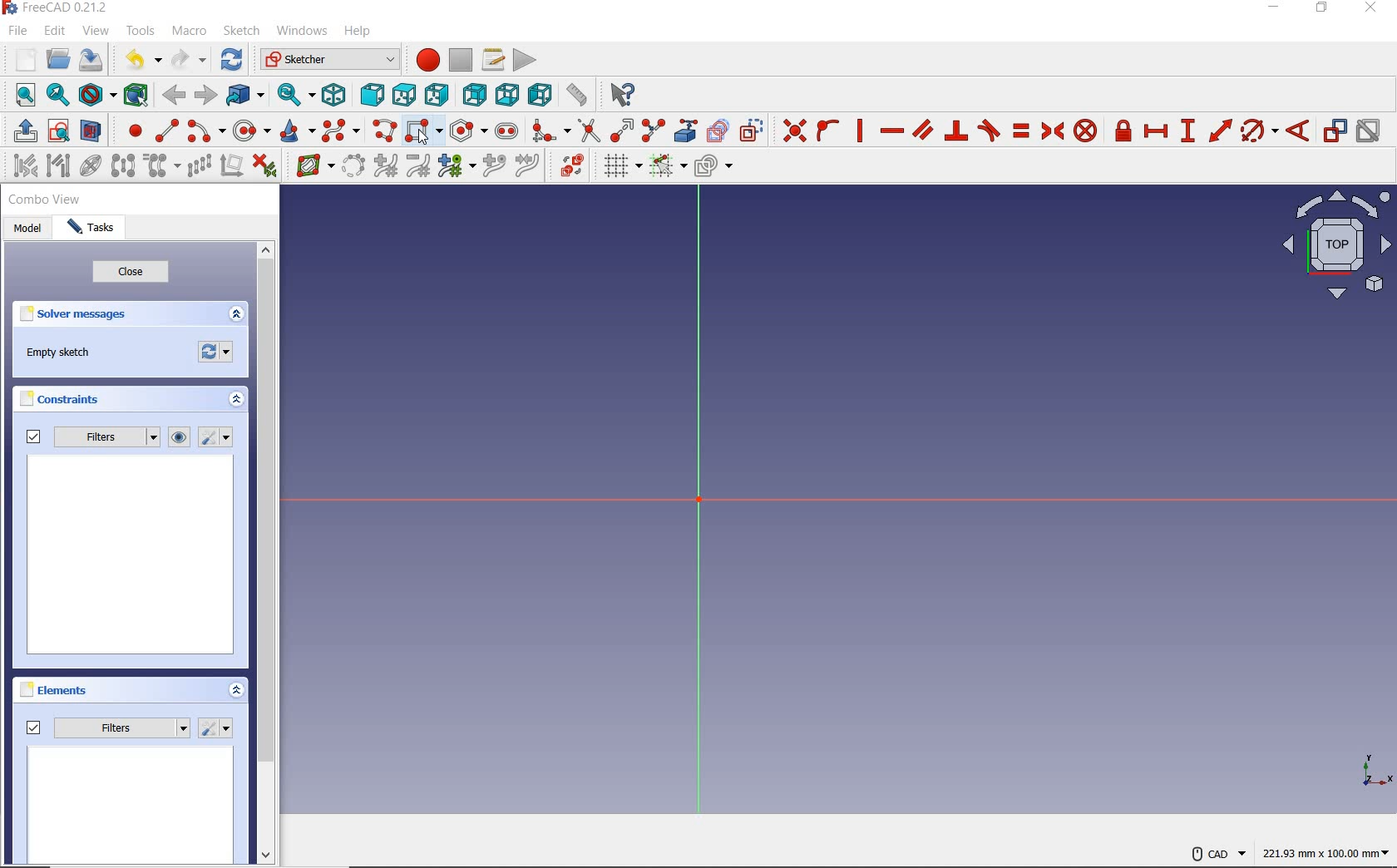 This screenshot has height=868, width=1397. Describe the element at coordinates (200, 166) in the screenshot. I see `rectangular array` at that location.